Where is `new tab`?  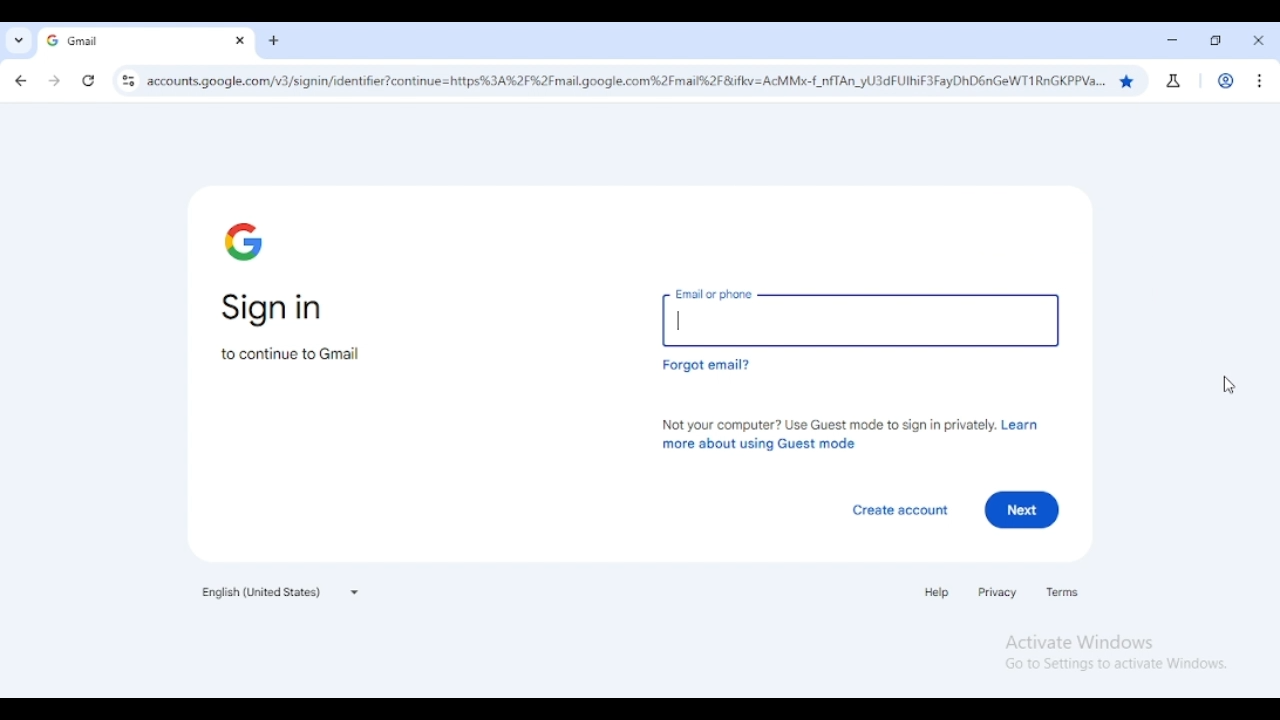 new tab is located at coordinates (274, 41).